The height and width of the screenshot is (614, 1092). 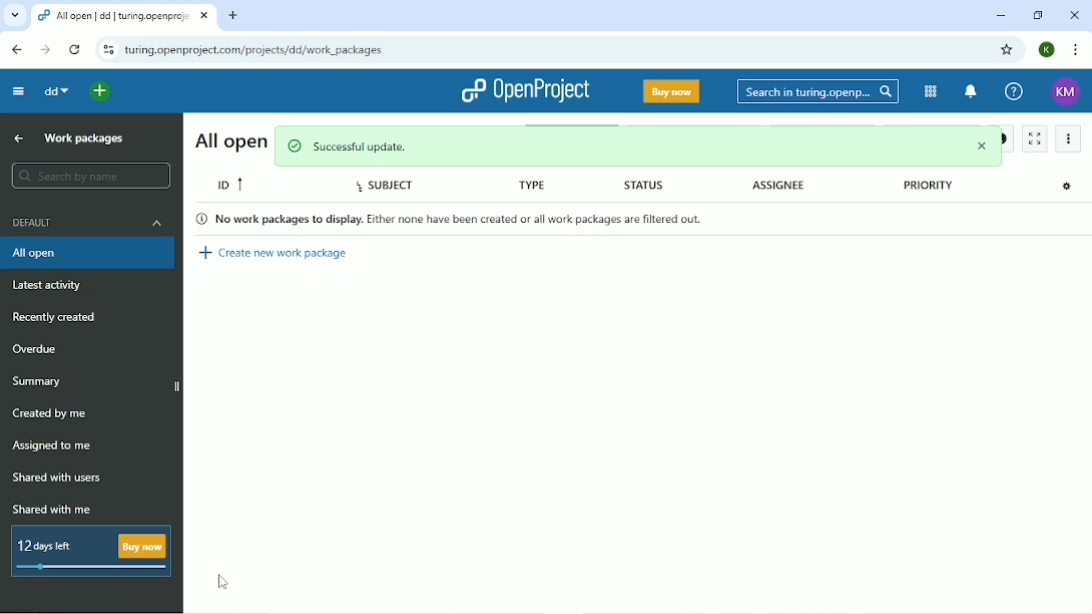 What do you see at coordinates (57, 316) in the screenshot?
I see `Recently created` at bounding box center [57, 316].